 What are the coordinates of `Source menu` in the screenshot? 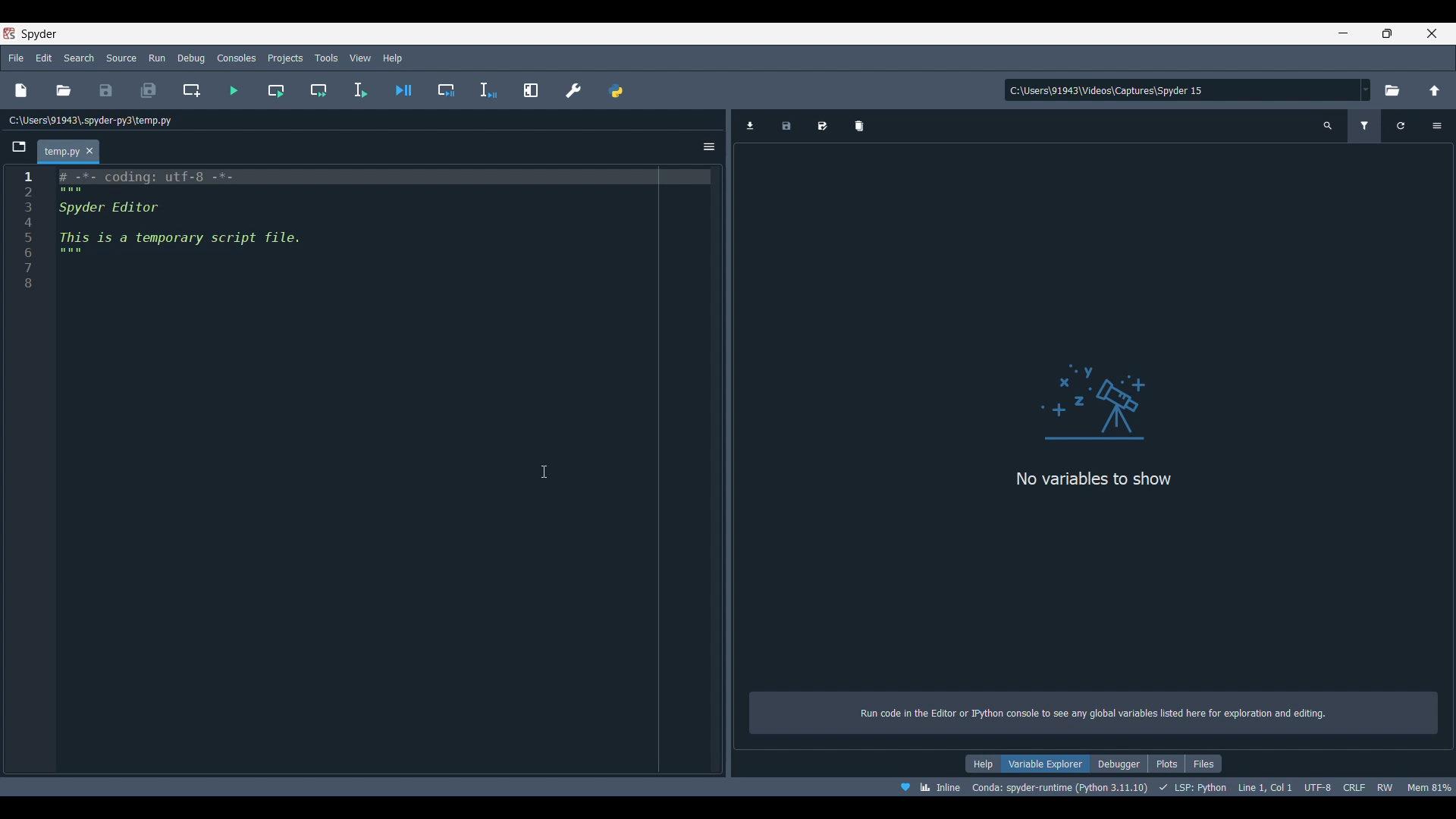 It's located at (121, 58).